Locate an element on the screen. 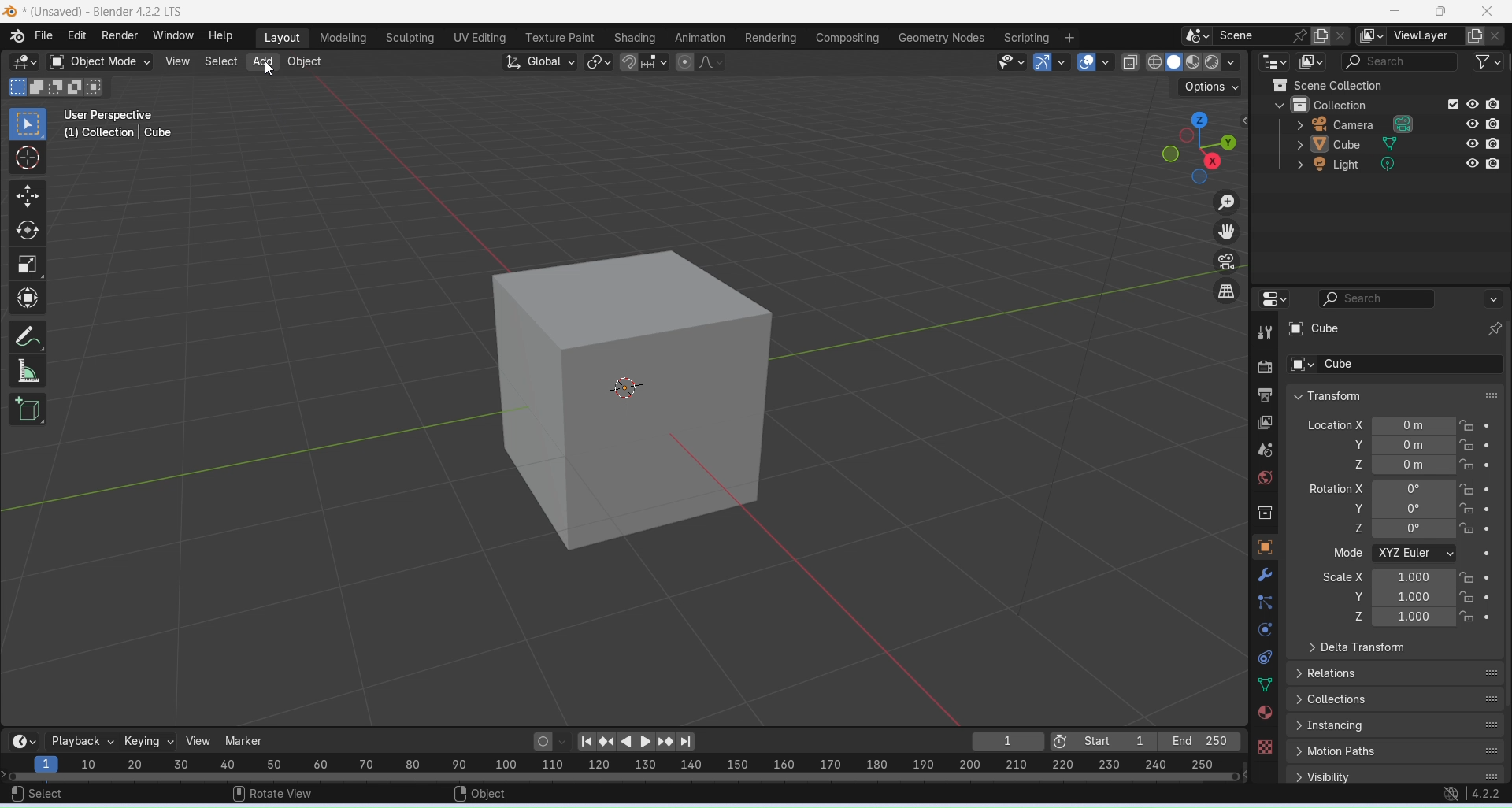 The width and height of the screenshot is (1512, 808). Modeling is located at coordinates (340, 39).